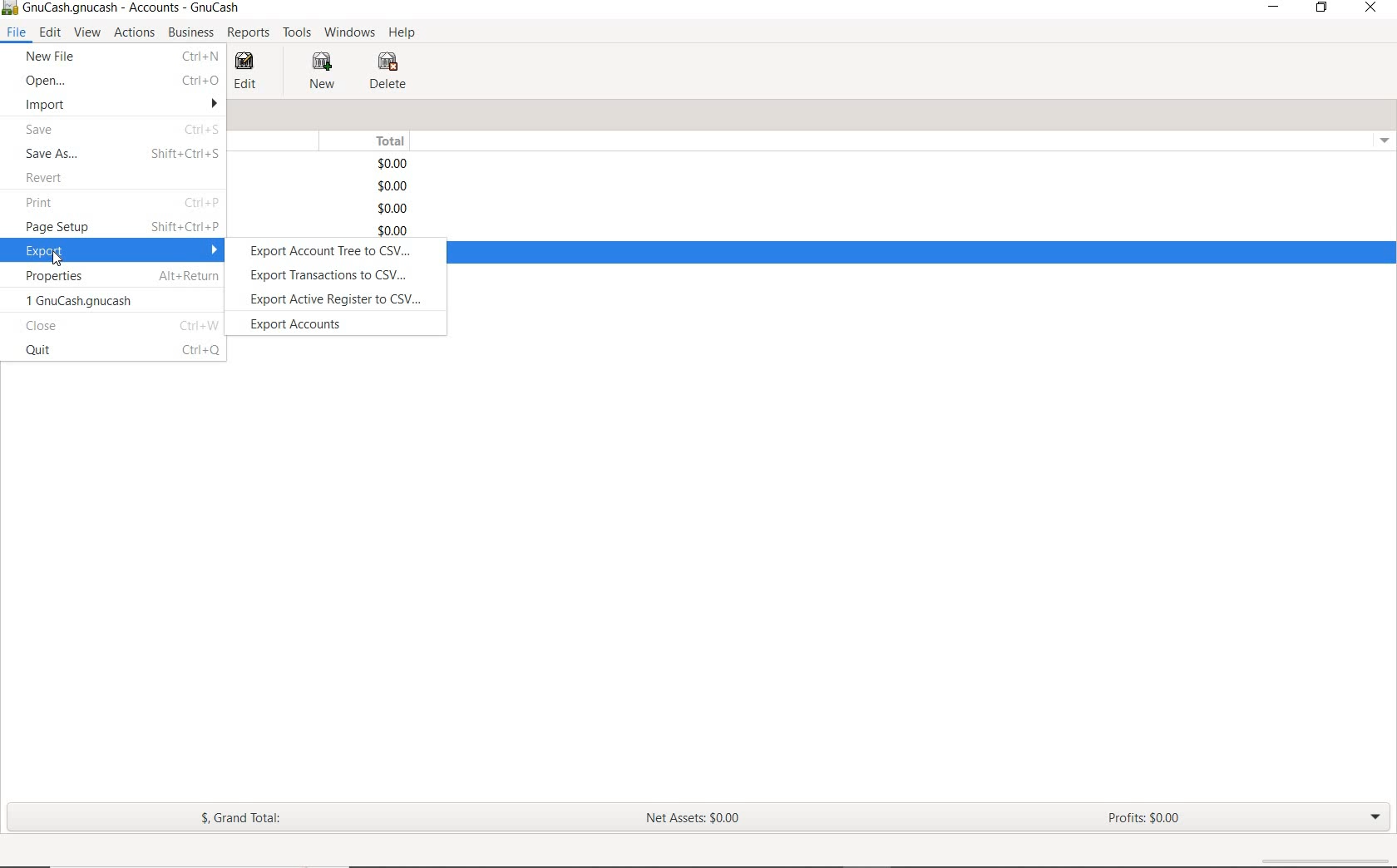  What do you see at coordinates (199, 55) in the screenshot?
I see `ctrl+n` at bounding box center [199, 55].